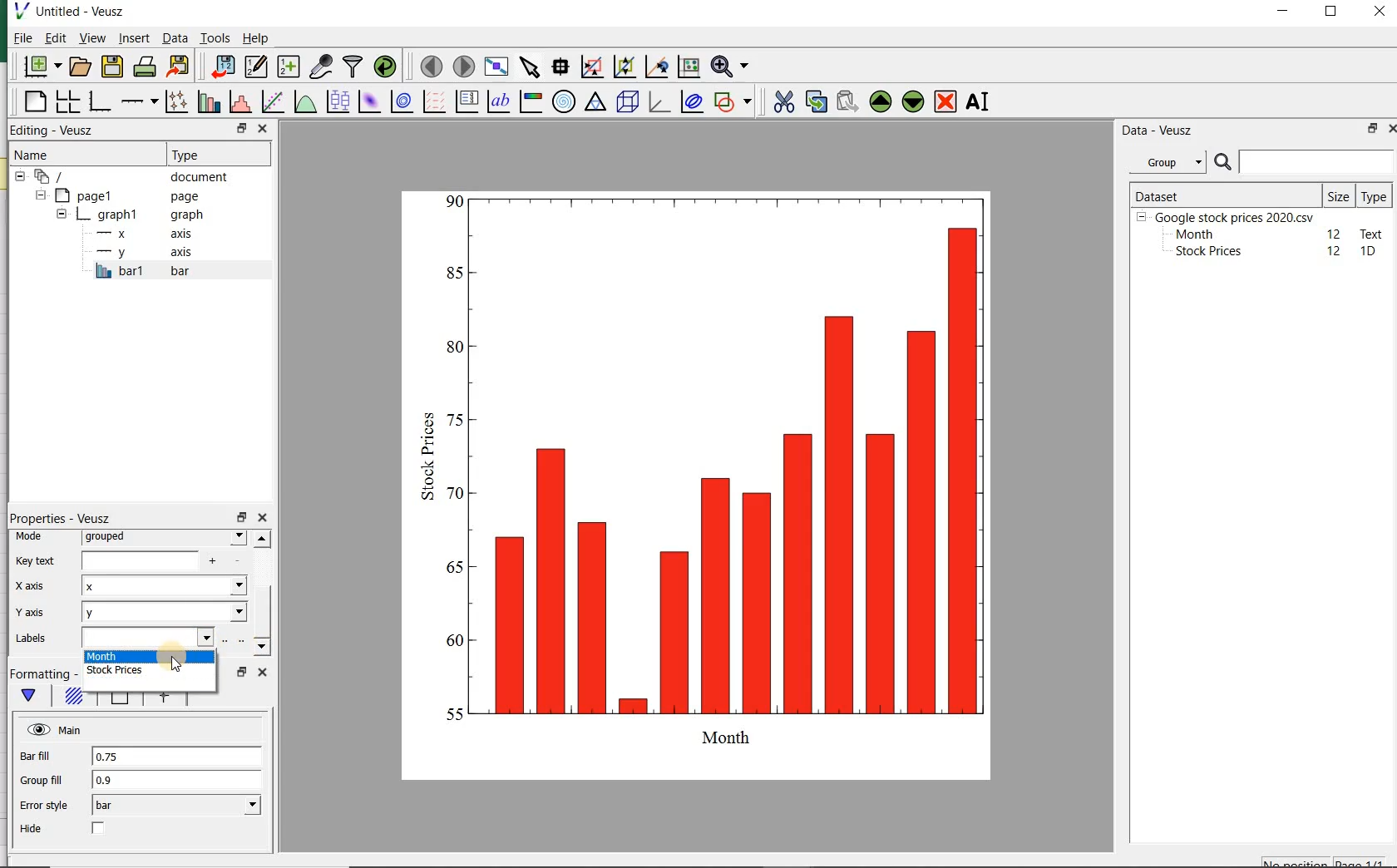 The height and width of the screenshot is (868, 1397). What do you see at coordinates (432, 103) in the screenshot?
I see `plot a vector field` at bounding box center [432, 103].